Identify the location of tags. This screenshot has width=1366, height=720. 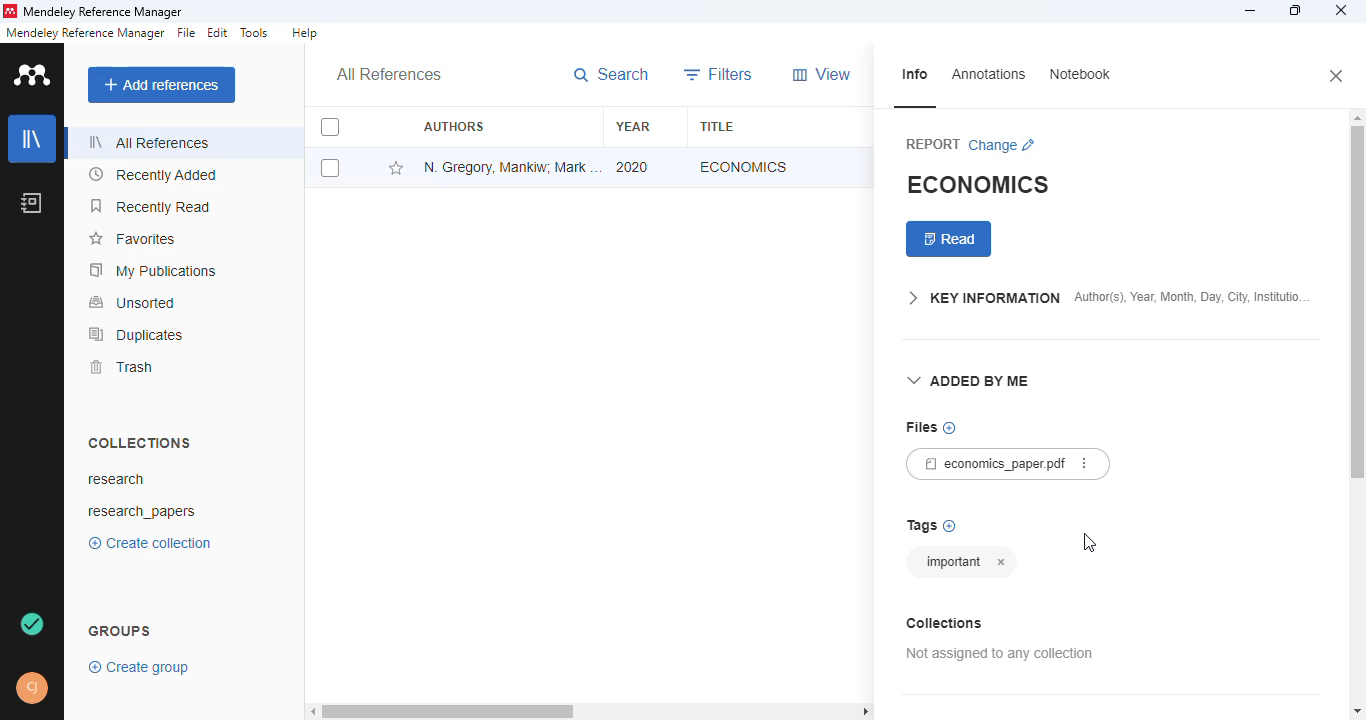
(921, 526).